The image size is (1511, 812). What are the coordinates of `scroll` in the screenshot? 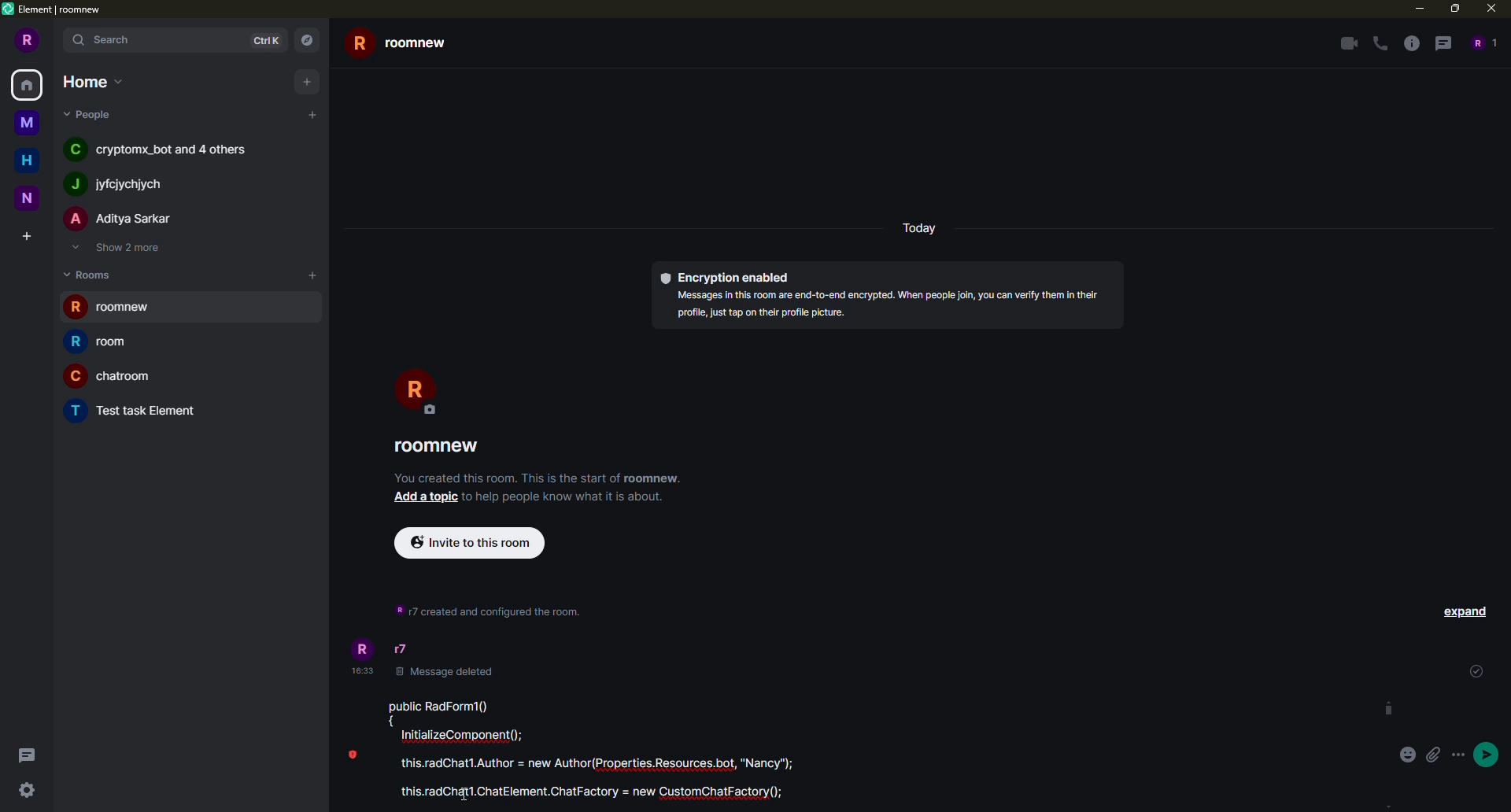 It's located at (1391, 707).